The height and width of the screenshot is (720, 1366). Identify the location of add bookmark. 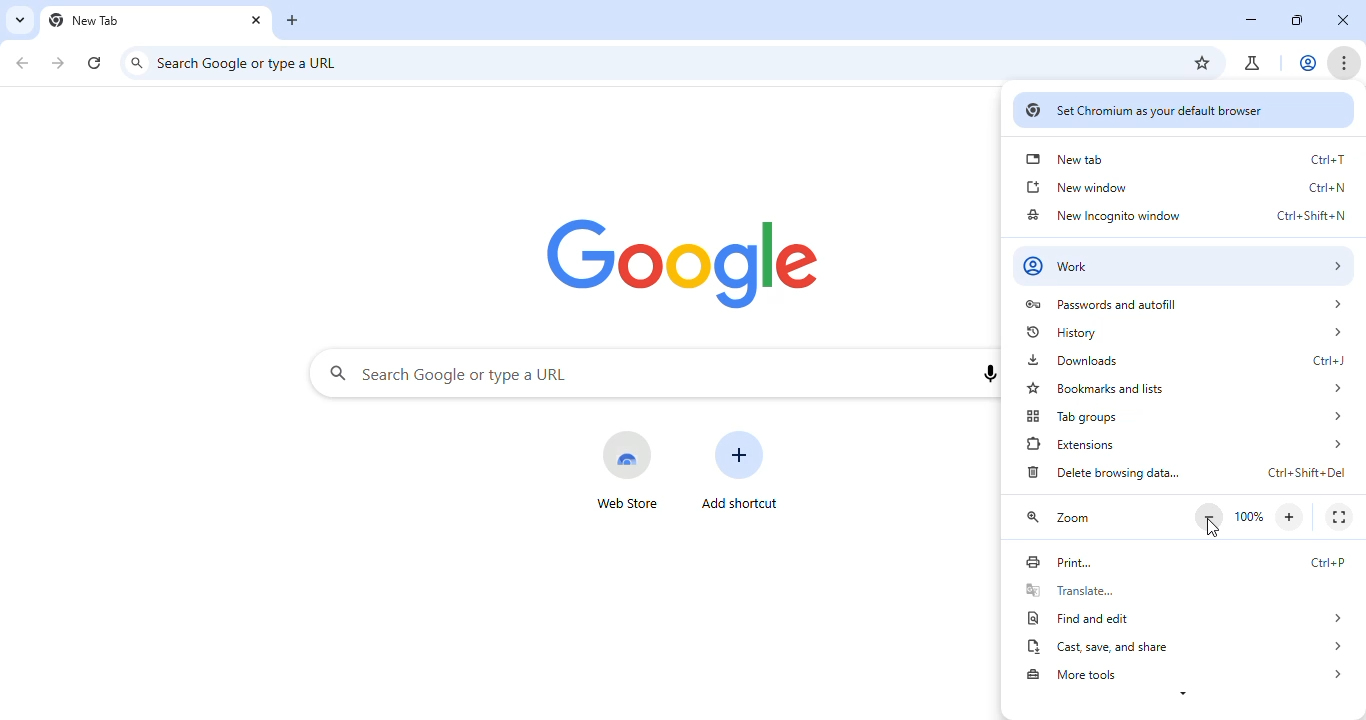
(1204, 64).